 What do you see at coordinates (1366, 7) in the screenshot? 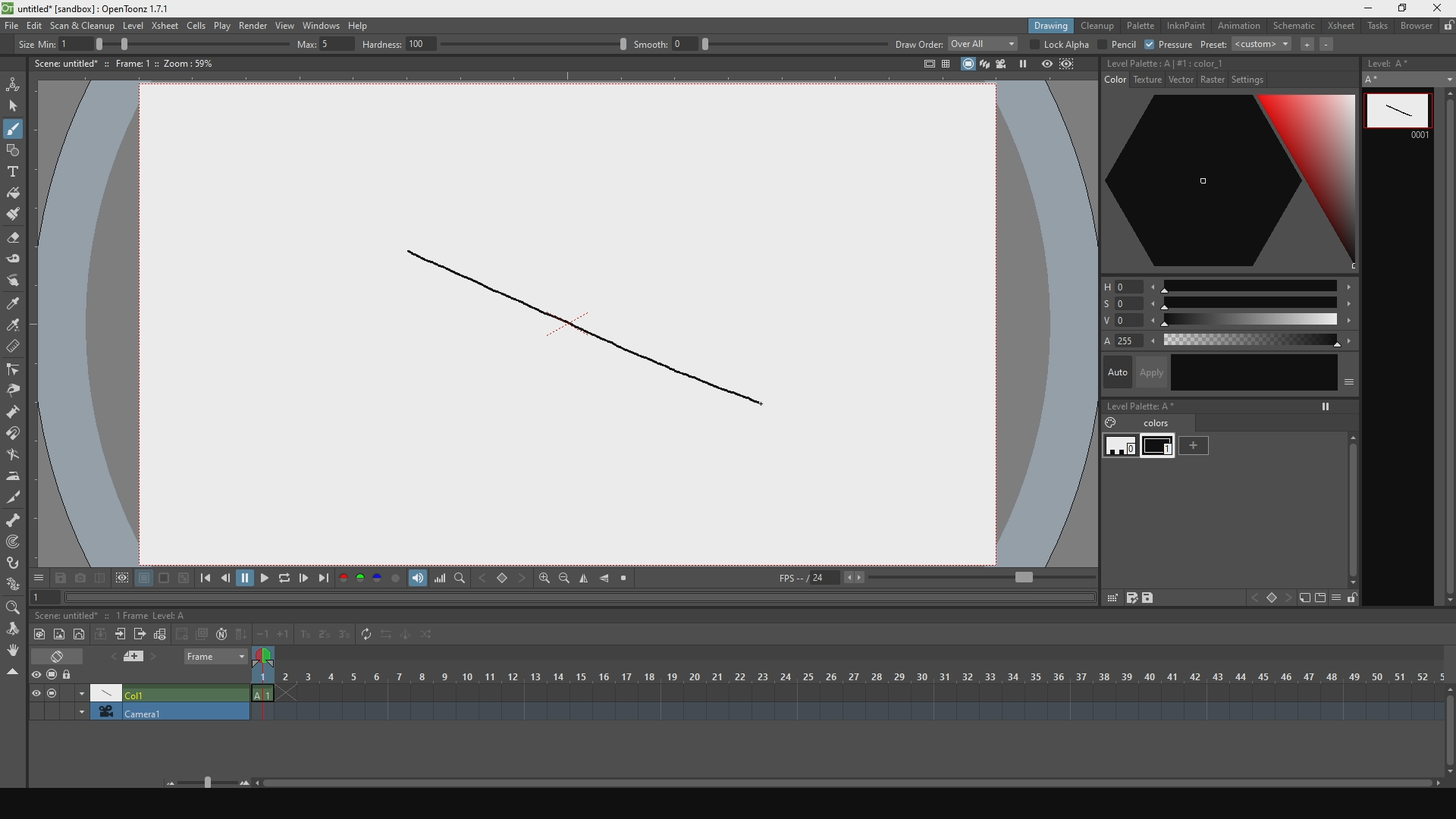
I see `minimize` at bounding box center [1366, 7].